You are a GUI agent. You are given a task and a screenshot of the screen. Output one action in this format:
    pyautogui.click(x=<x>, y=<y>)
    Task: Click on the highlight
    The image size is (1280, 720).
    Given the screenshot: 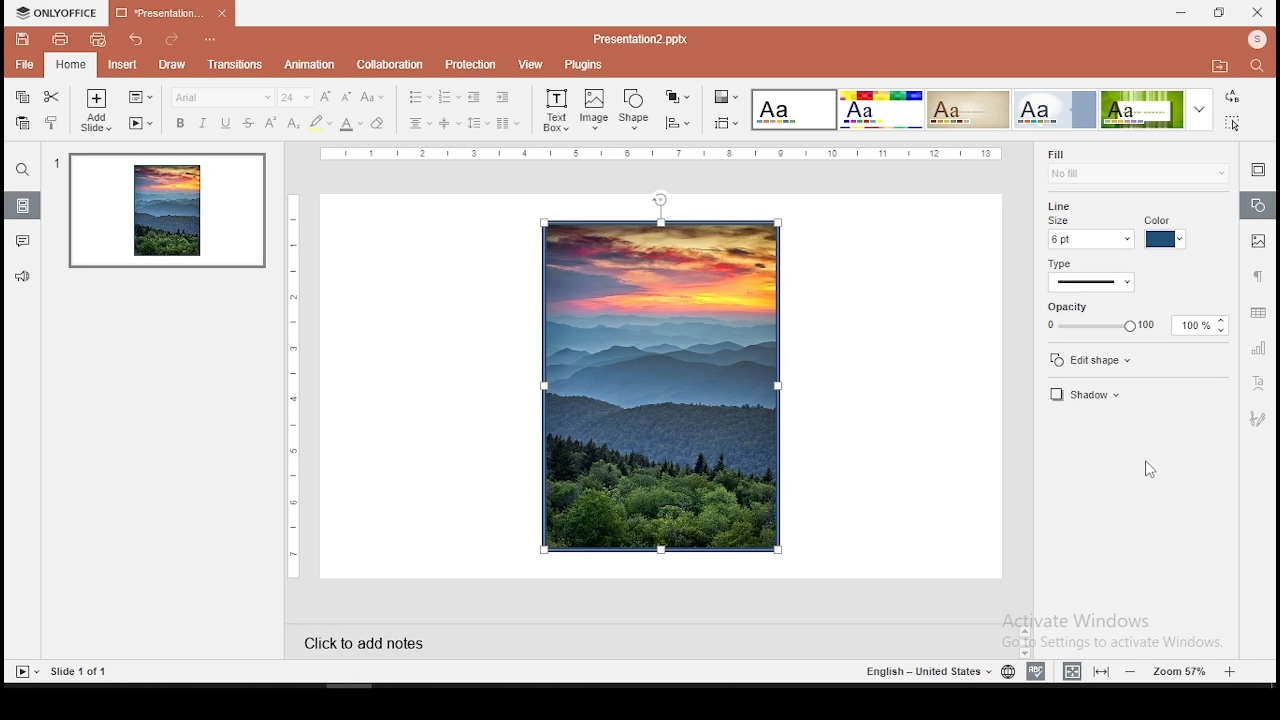 What is the action you would take?
    pyautogui.click(x=320, y=123)
    